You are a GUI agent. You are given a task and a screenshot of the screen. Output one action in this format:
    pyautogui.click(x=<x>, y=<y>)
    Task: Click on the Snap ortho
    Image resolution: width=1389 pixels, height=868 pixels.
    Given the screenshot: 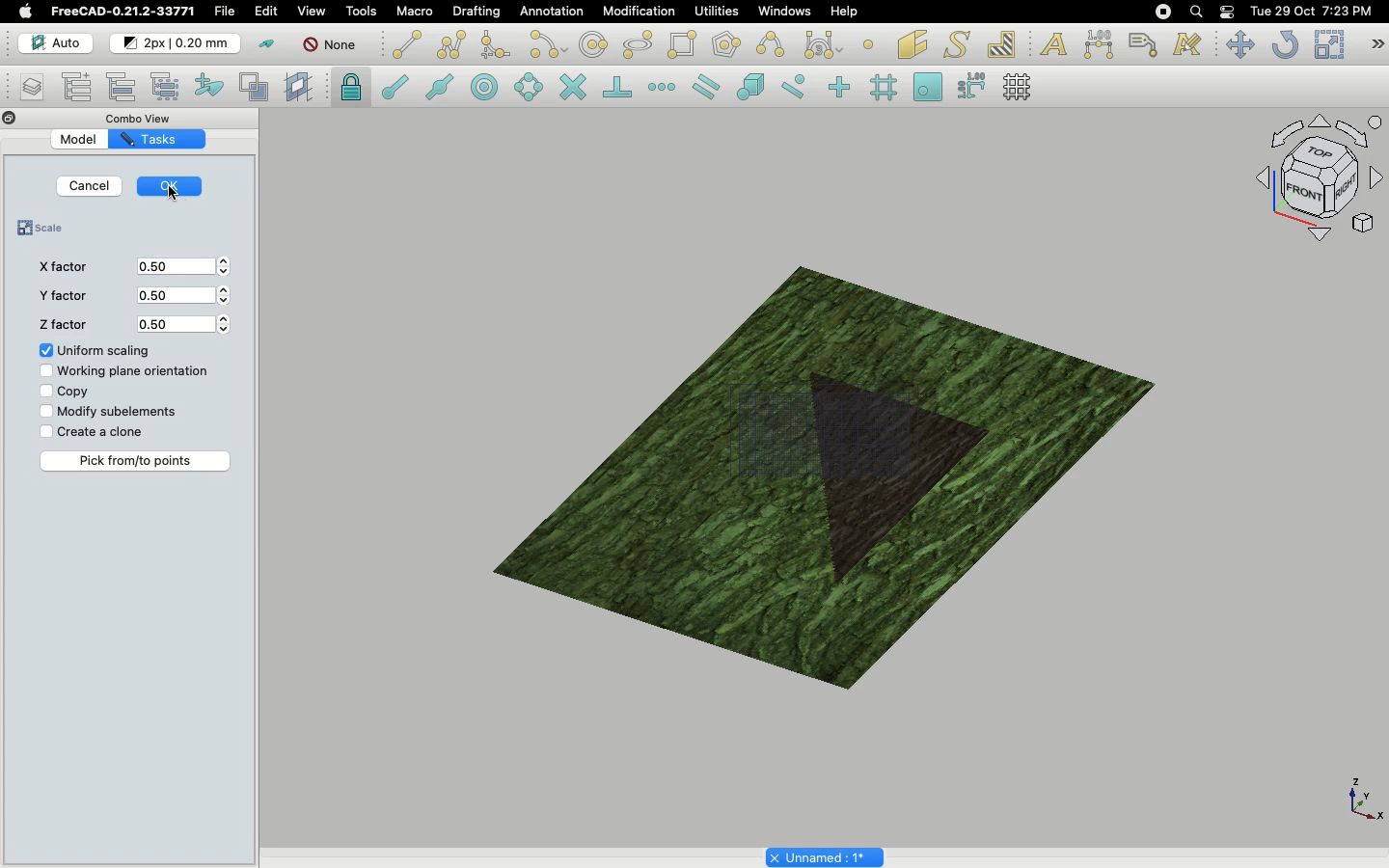 What is the action you would take?
    pyautogui.click(x=833, y=87)
    